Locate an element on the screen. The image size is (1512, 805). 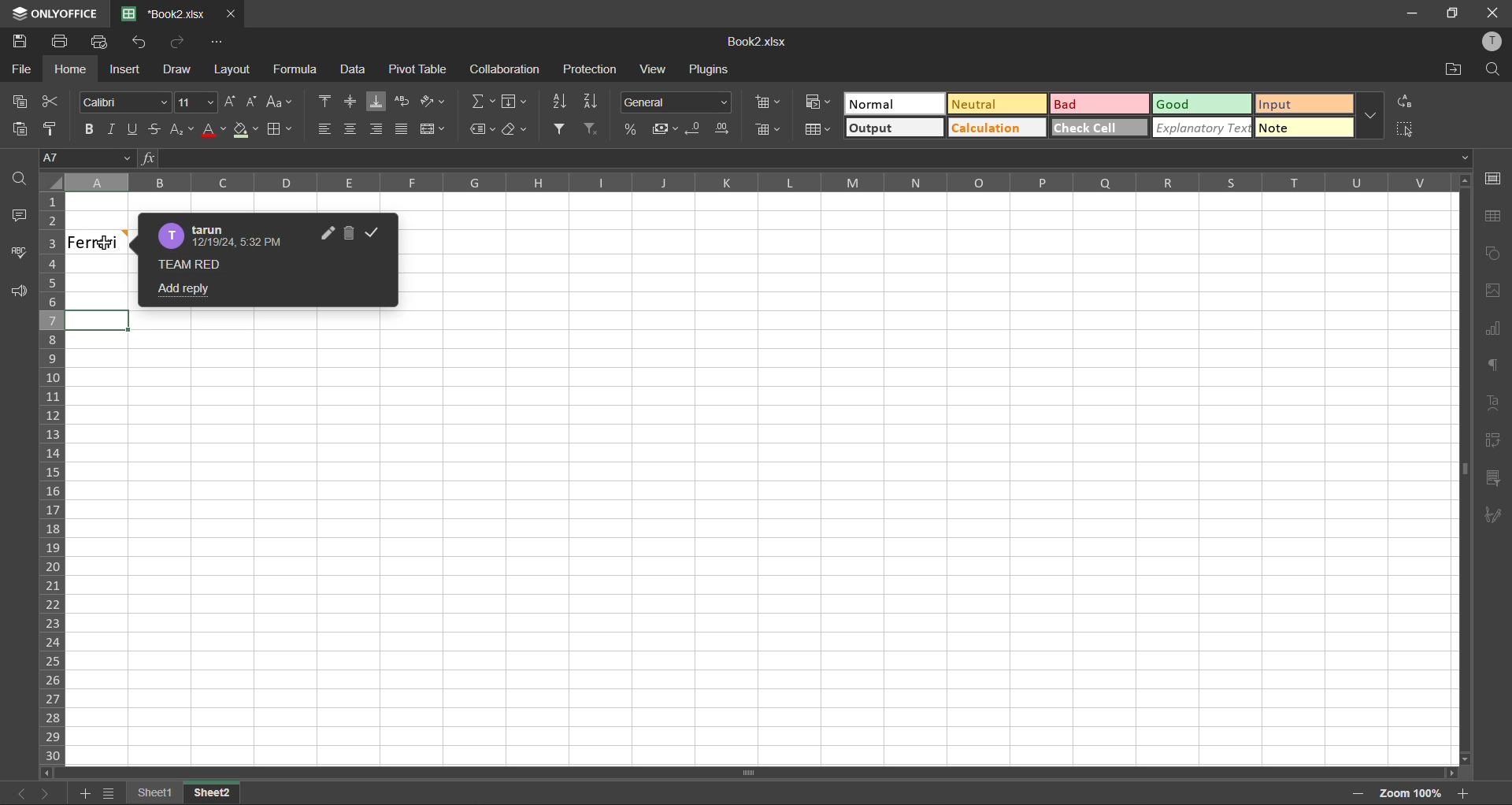
copy is located at coordinates (24, 105).